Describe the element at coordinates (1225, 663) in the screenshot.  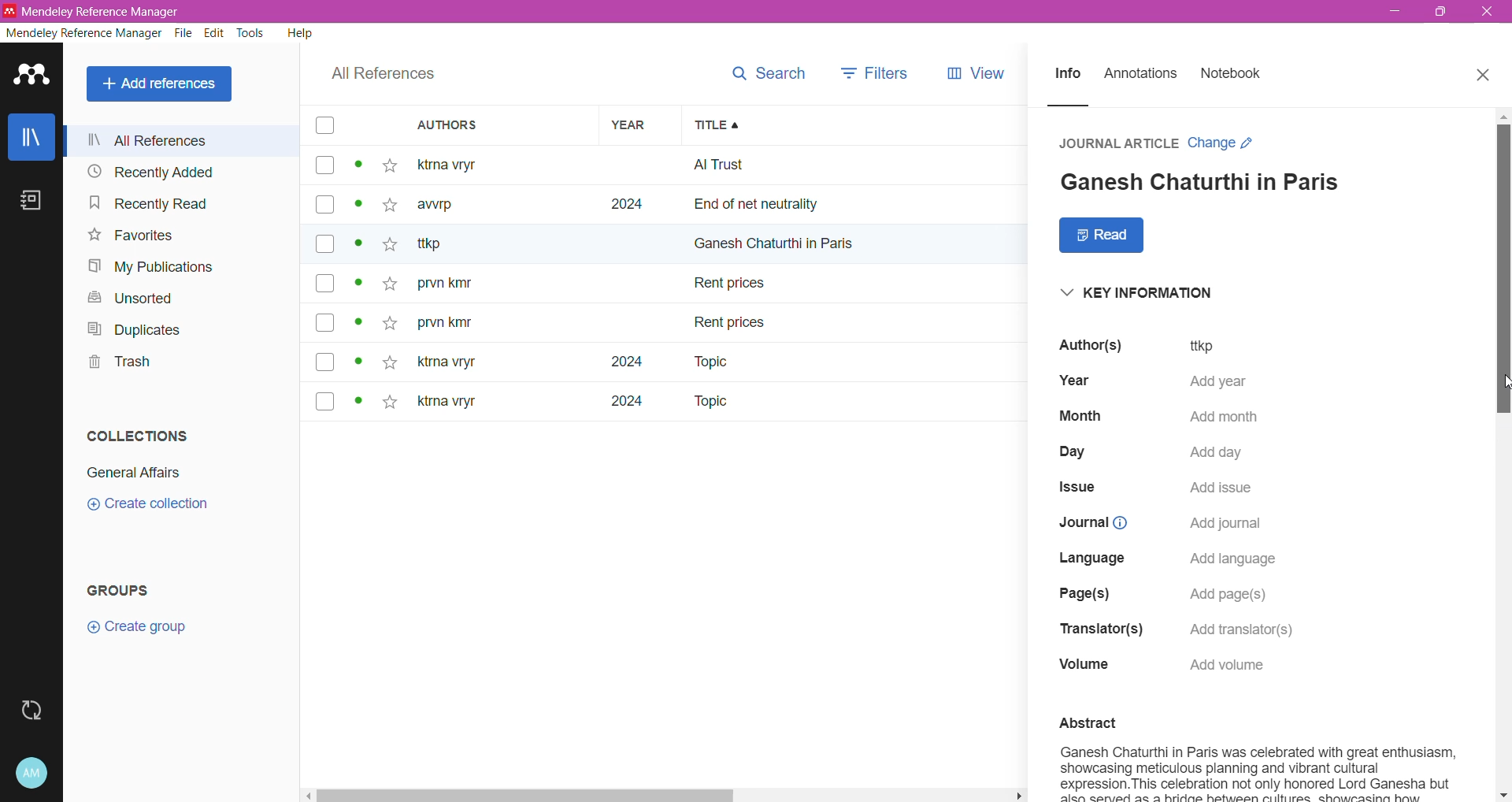
I see `Click to add volume` at that location.